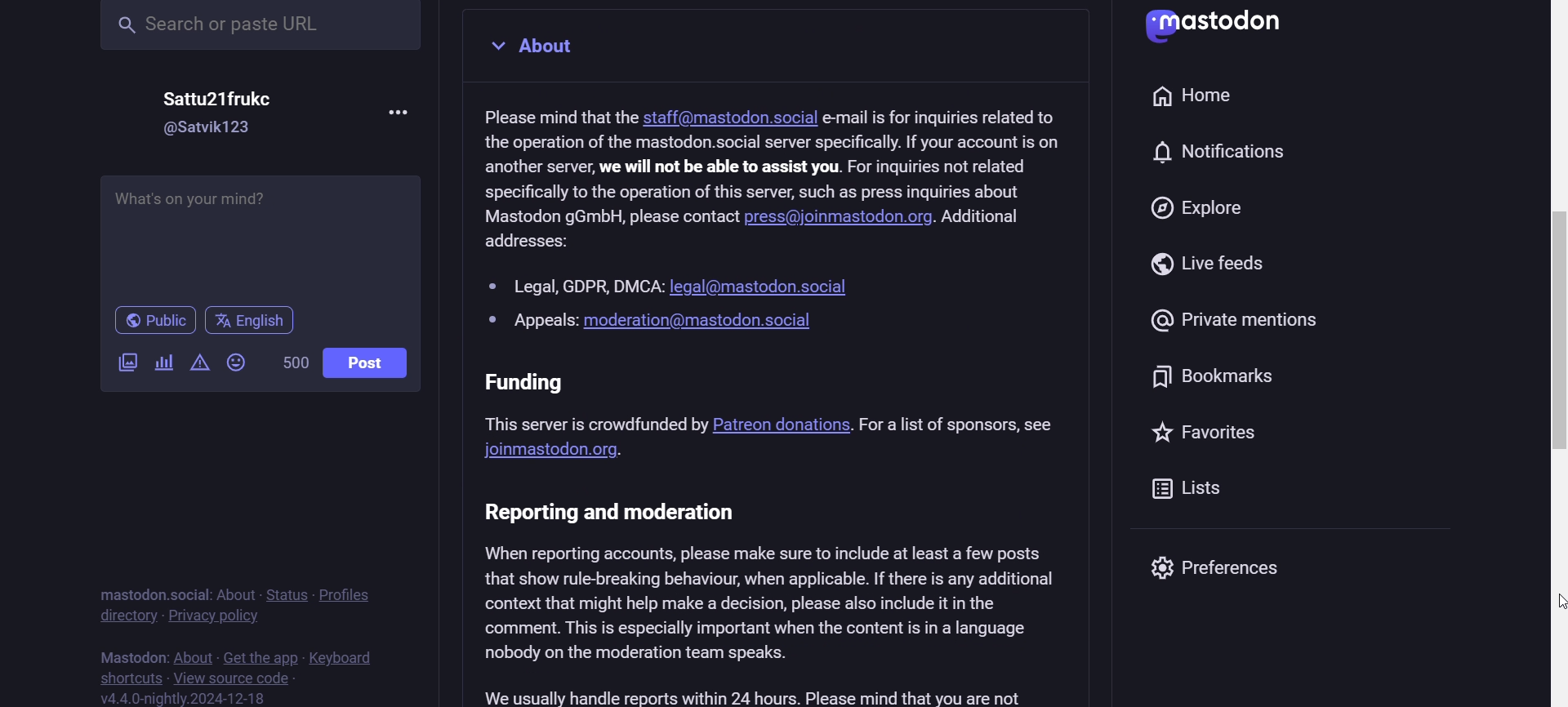 The image size is (1568, 707). What do you see at coordinates (291, 595) in the screenshot?
I see `status` at bounding box center [291, 595].